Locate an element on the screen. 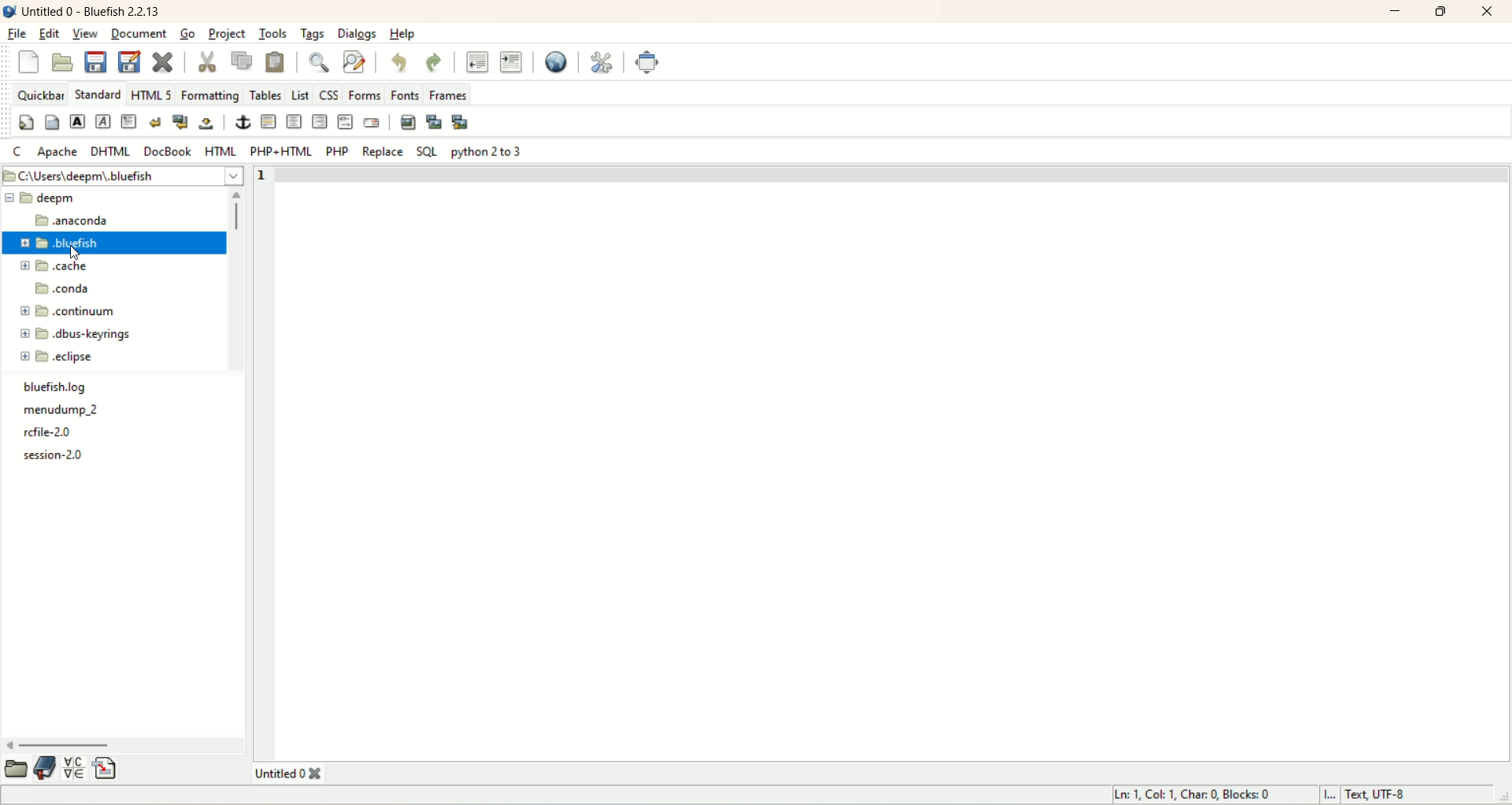 This screenshot has width=1512, height=805. insert file is located at coordinates (106, 767).